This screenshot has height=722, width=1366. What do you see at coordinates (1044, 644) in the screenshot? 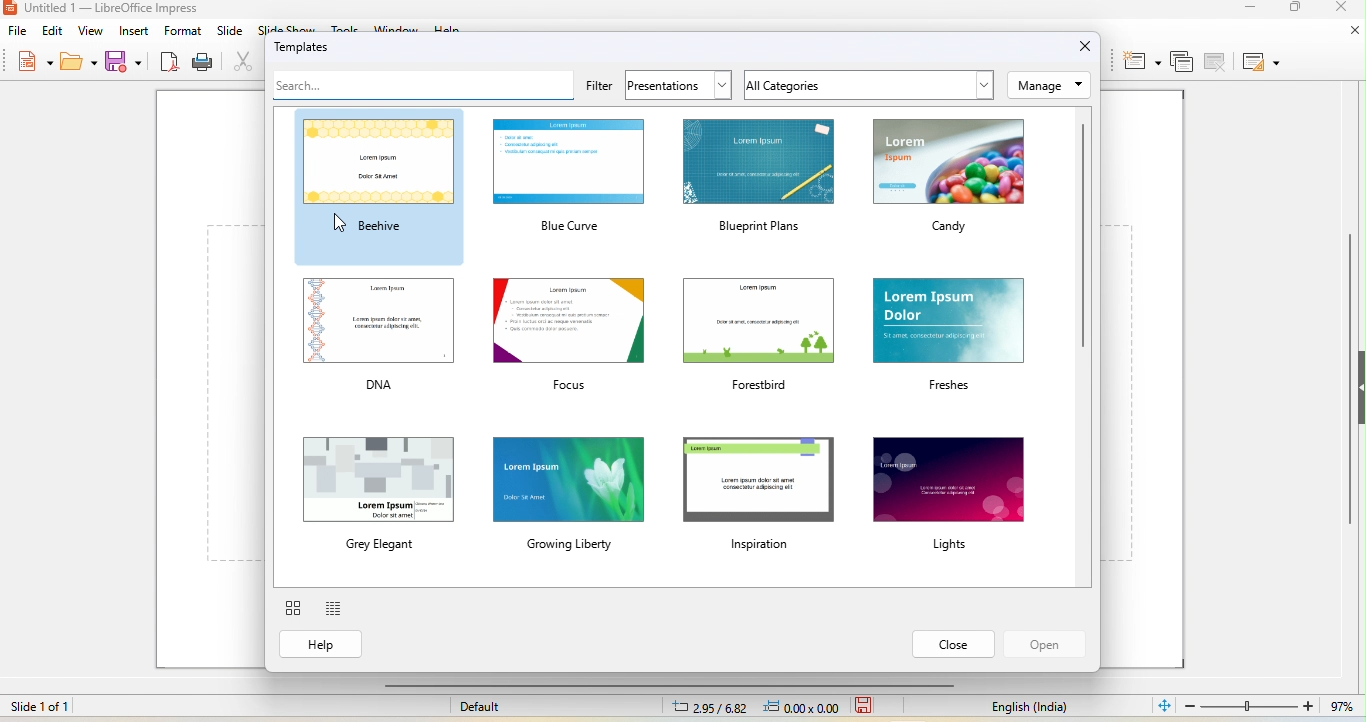
I see `open` at bounding box center [1044, 644].